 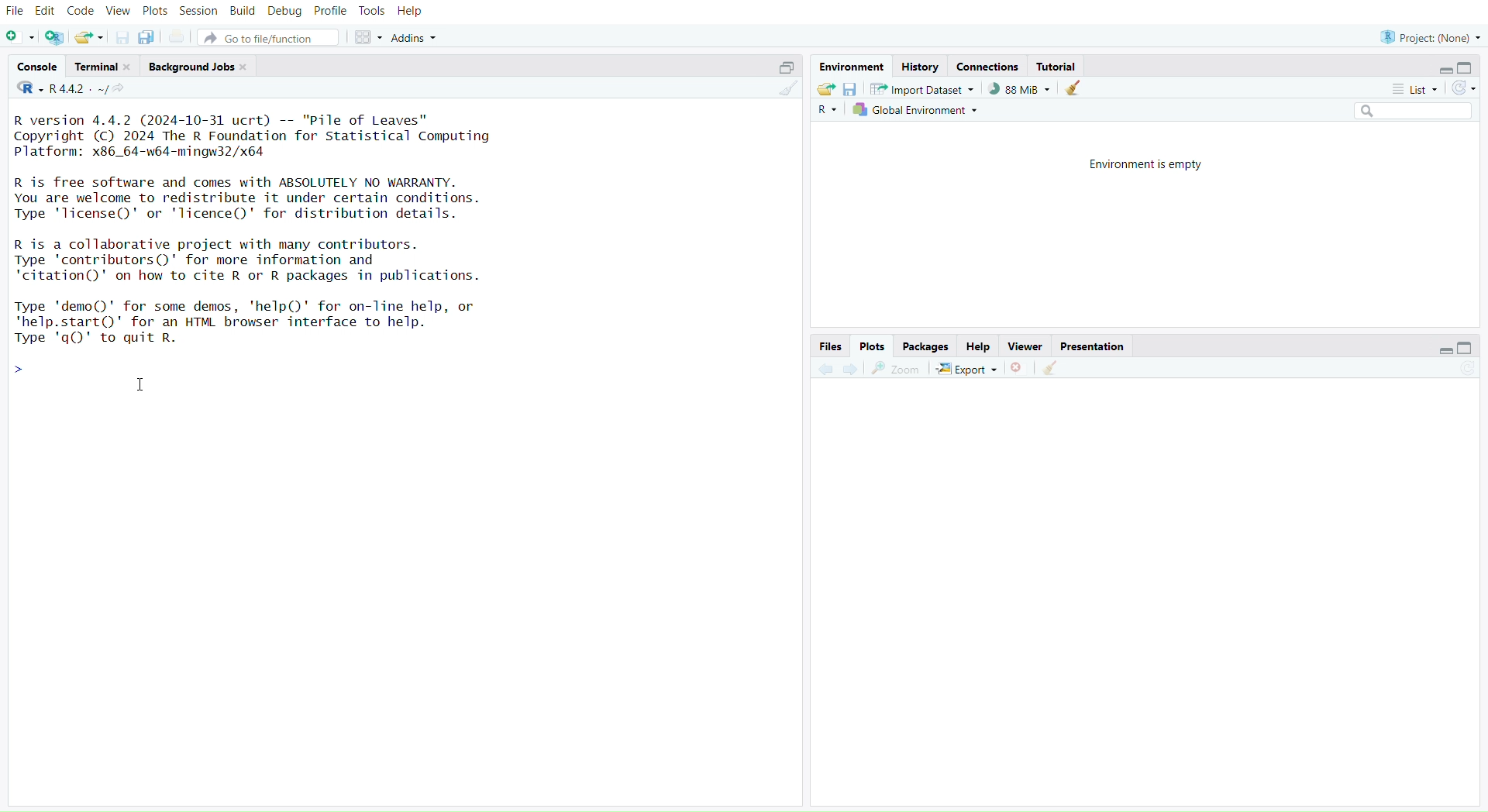 What do you see at coordinates (827, 346) in the screenshot?
I see `files` at bounding box center [827, 346].